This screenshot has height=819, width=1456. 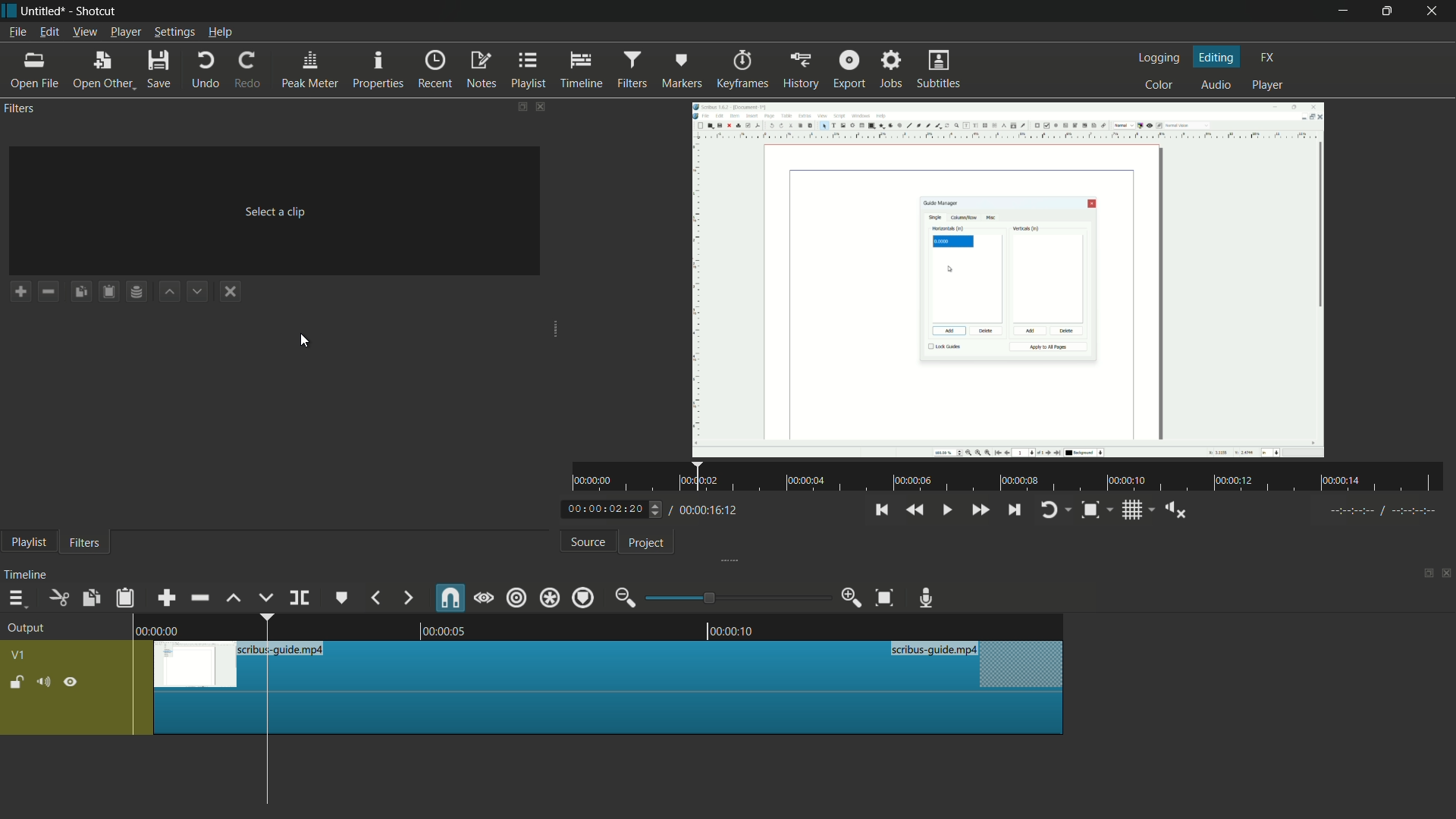 What do you see at coordinates (1267, 84) in the screenshot?
I see `player` at bounding box center [1267, 84].